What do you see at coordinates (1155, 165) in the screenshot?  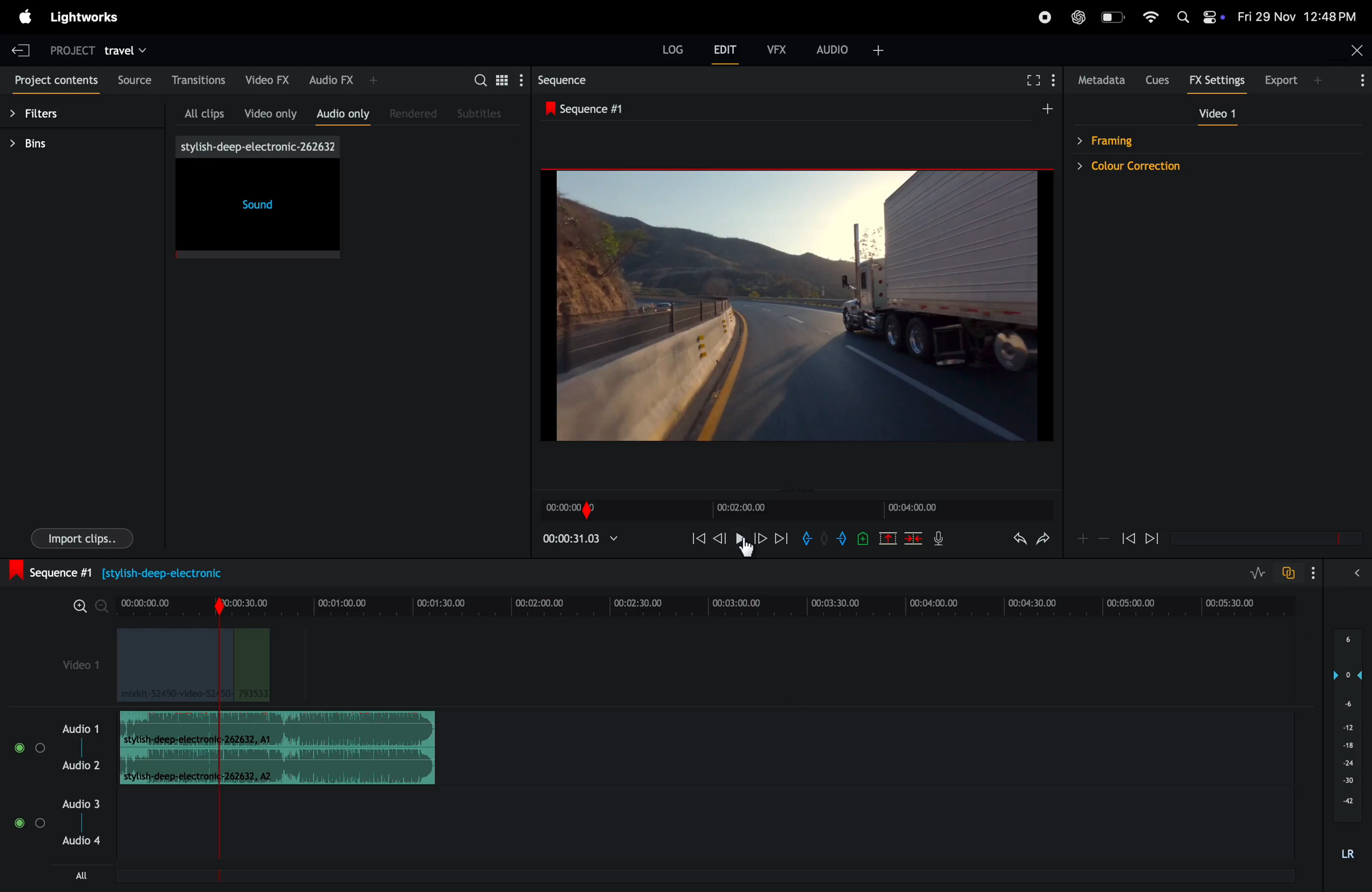 I see `colour correction` at bounding box center [1155, 165].